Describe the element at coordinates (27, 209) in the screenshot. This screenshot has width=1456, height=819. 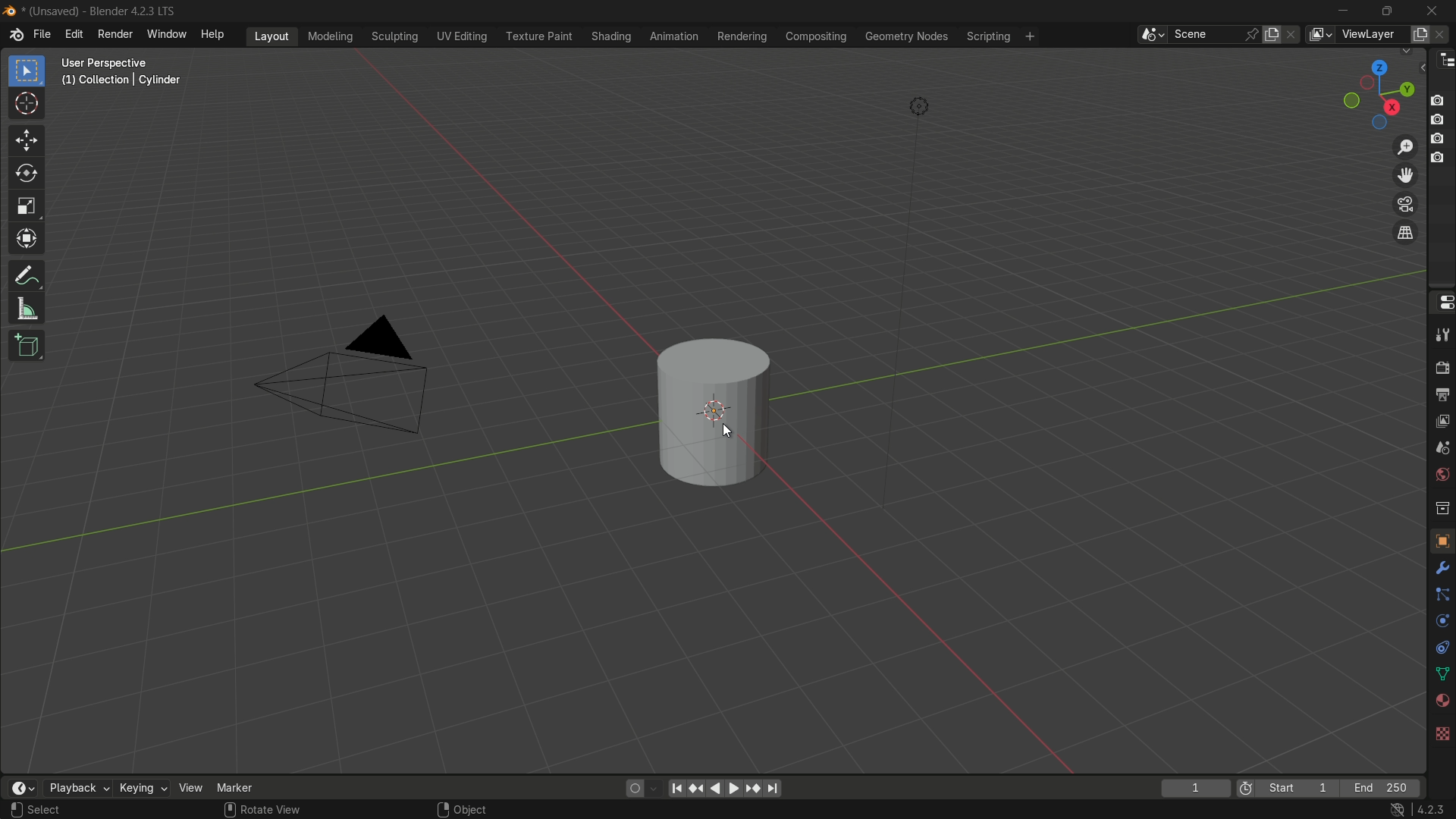
I see `scale` at that location.